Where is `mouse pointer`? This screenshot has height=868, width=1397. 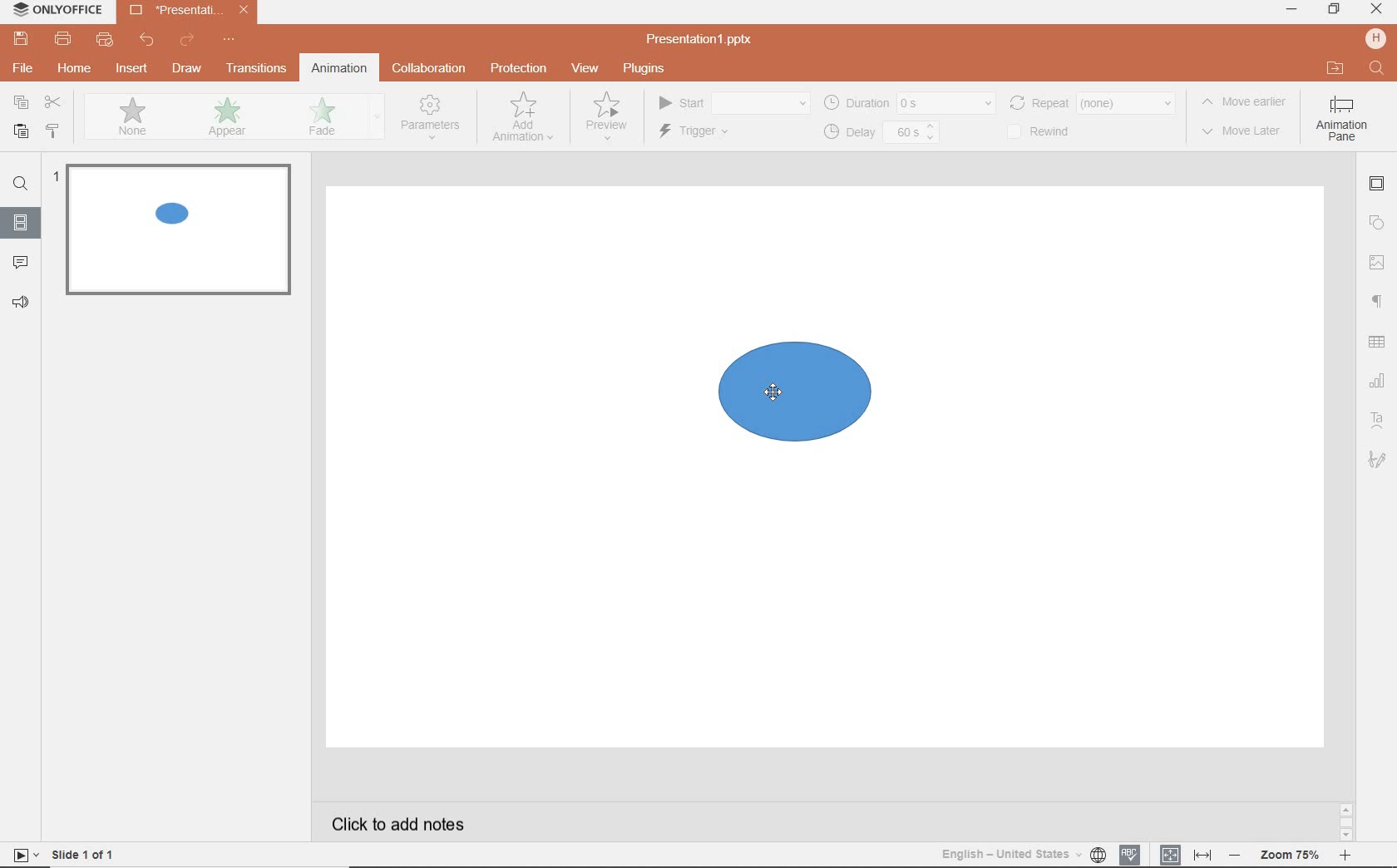
mouse pointer is located at coordinates (779, 393).